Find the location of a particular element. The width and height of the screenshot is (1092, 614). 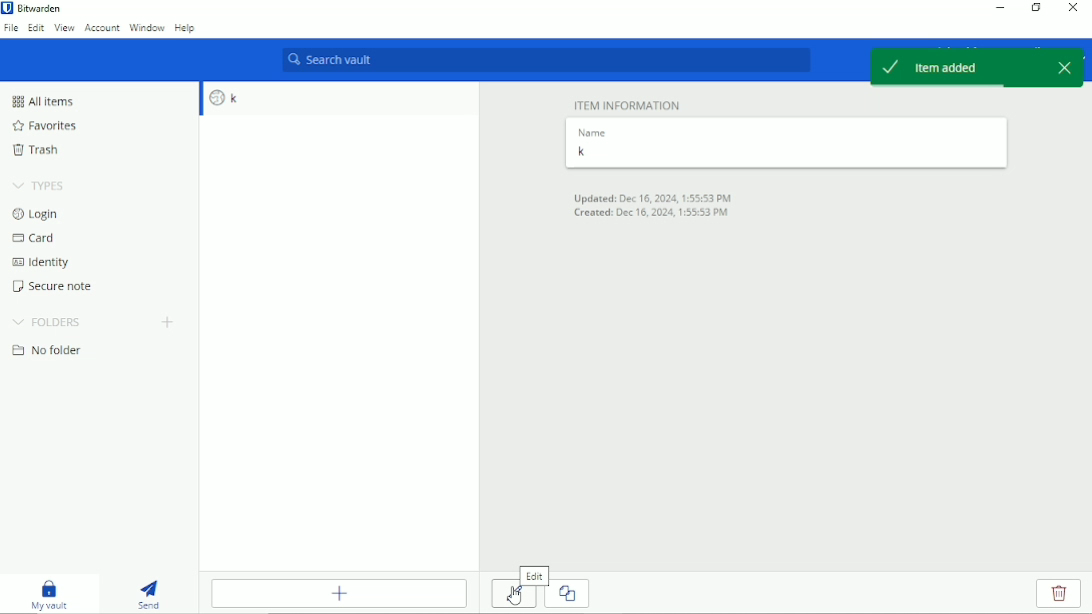

Clone is located at coordinates (571, 594).